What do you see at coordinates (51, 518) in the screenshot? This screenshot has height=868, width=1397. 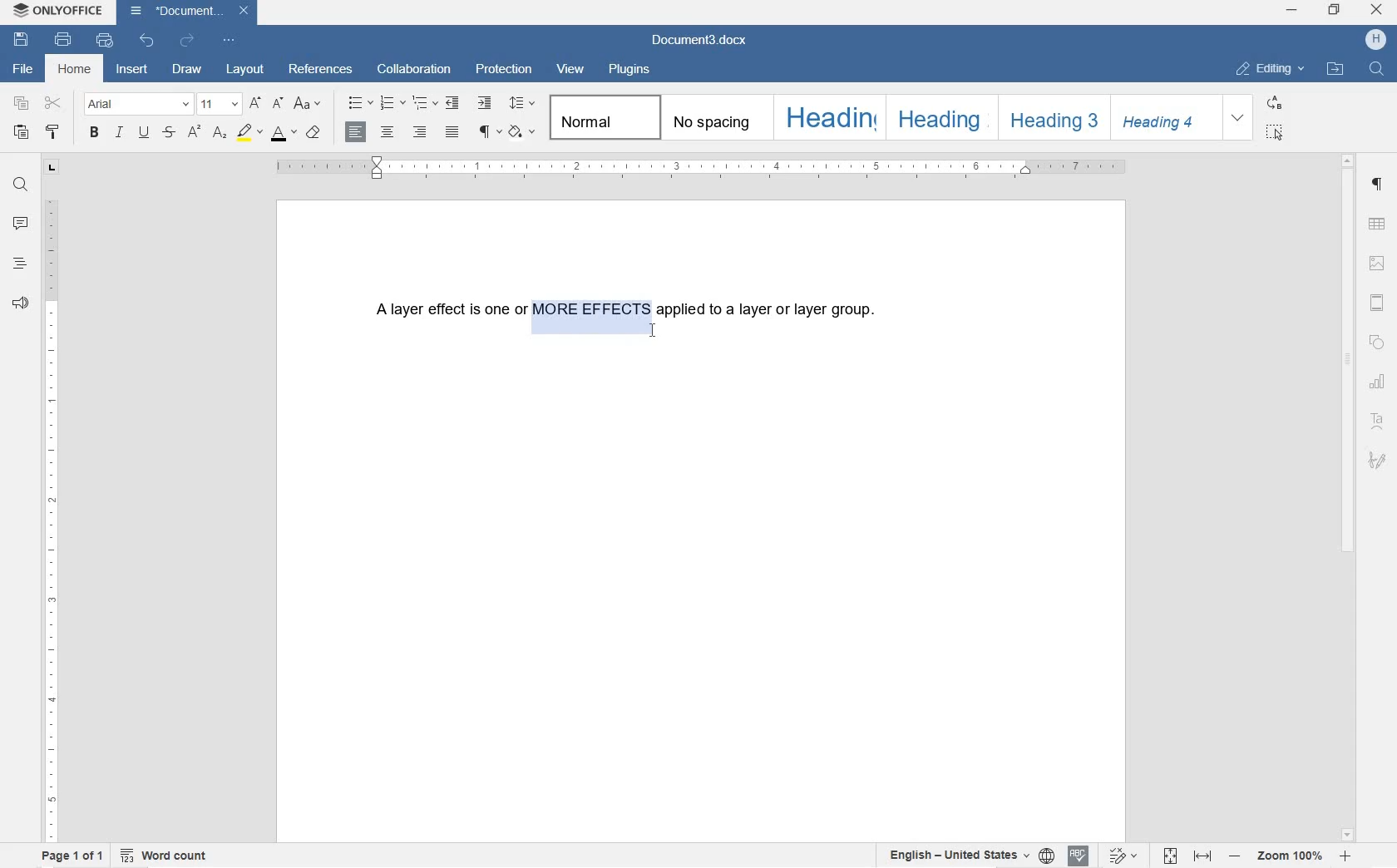 I see `RULER` at bounding box center [51, 518].